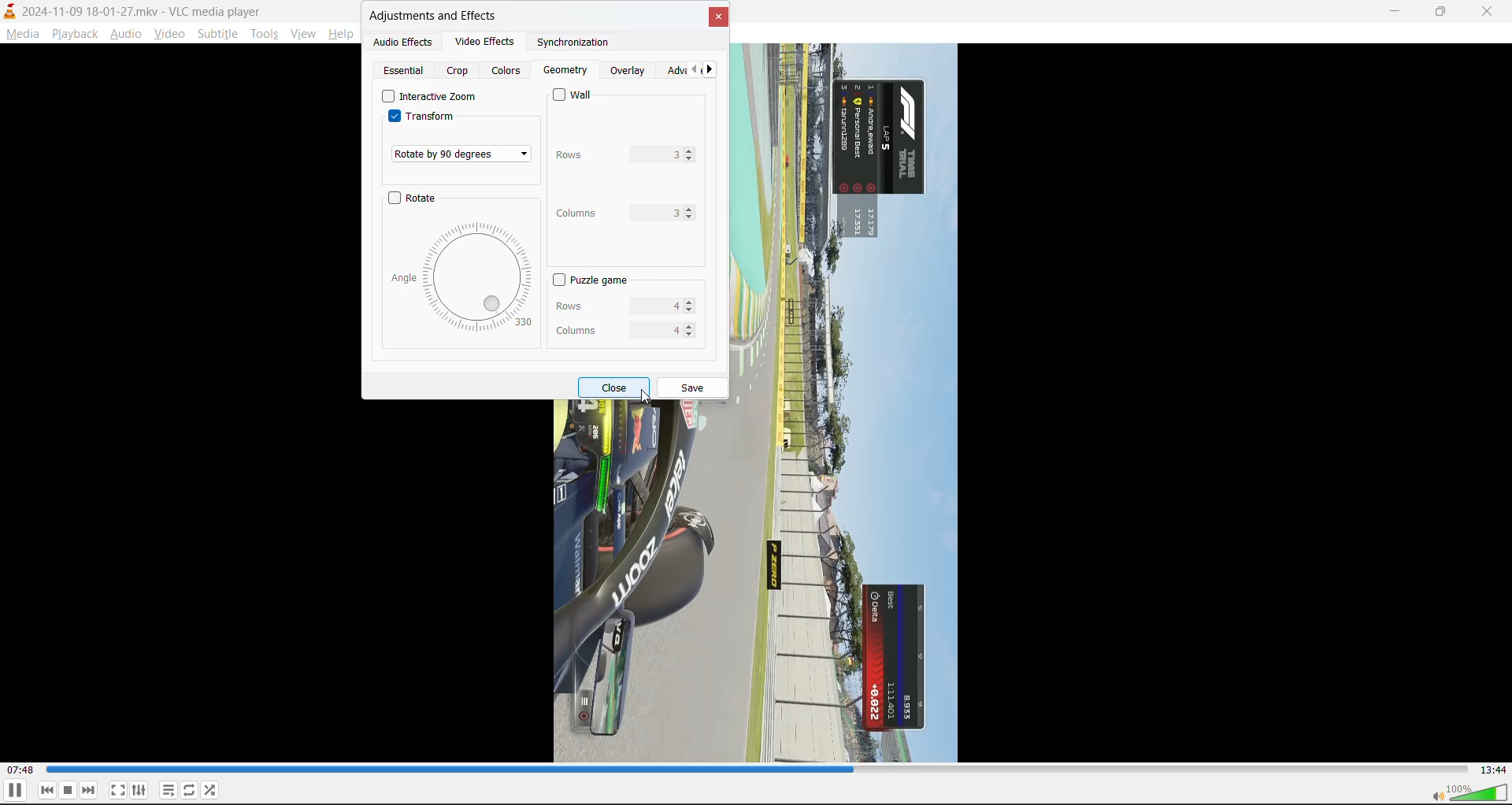  I want to click on increase, so click(691, 150).